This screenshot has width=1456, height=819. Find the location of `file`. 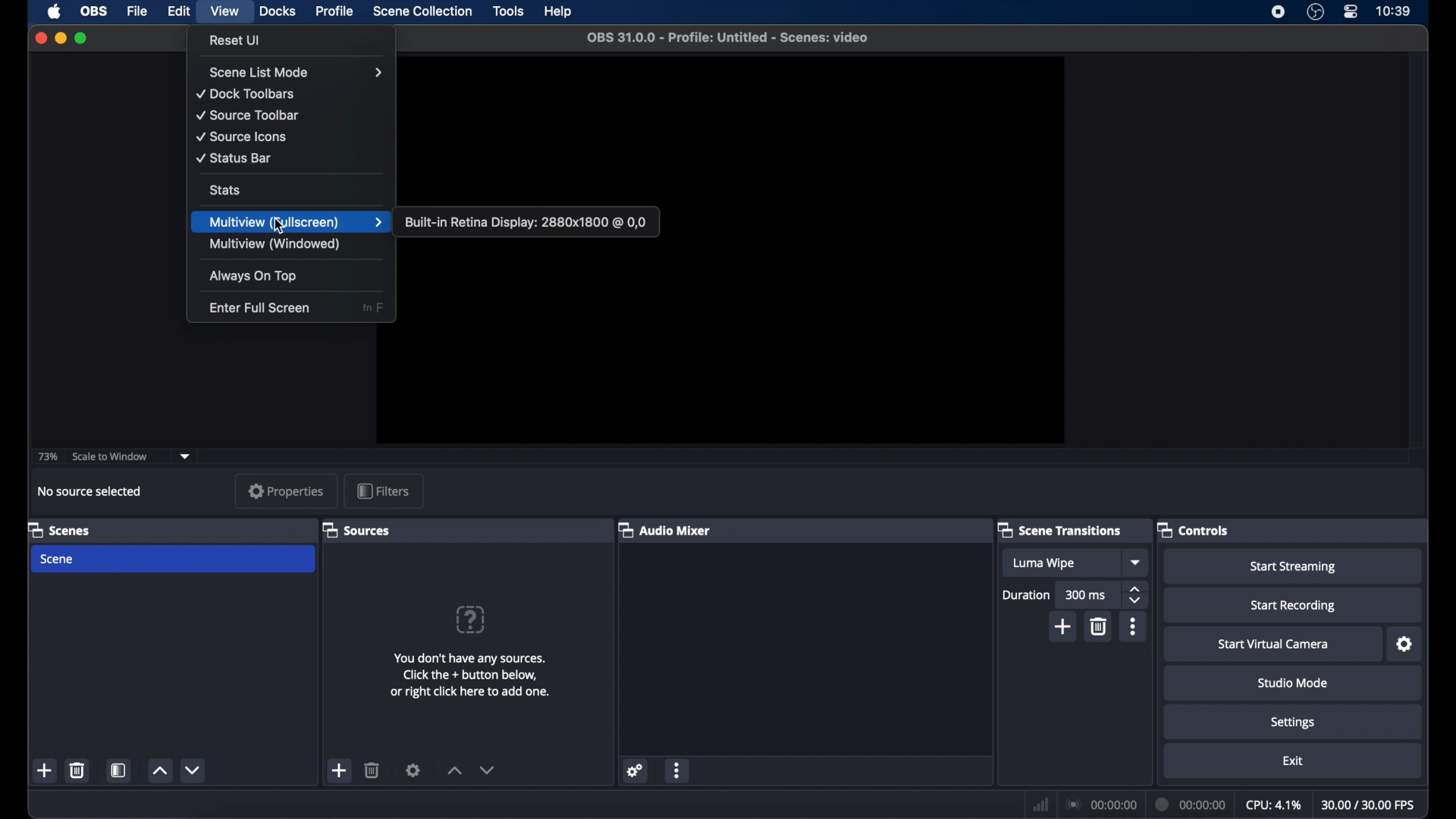

file is located at coordinates (137, 11).